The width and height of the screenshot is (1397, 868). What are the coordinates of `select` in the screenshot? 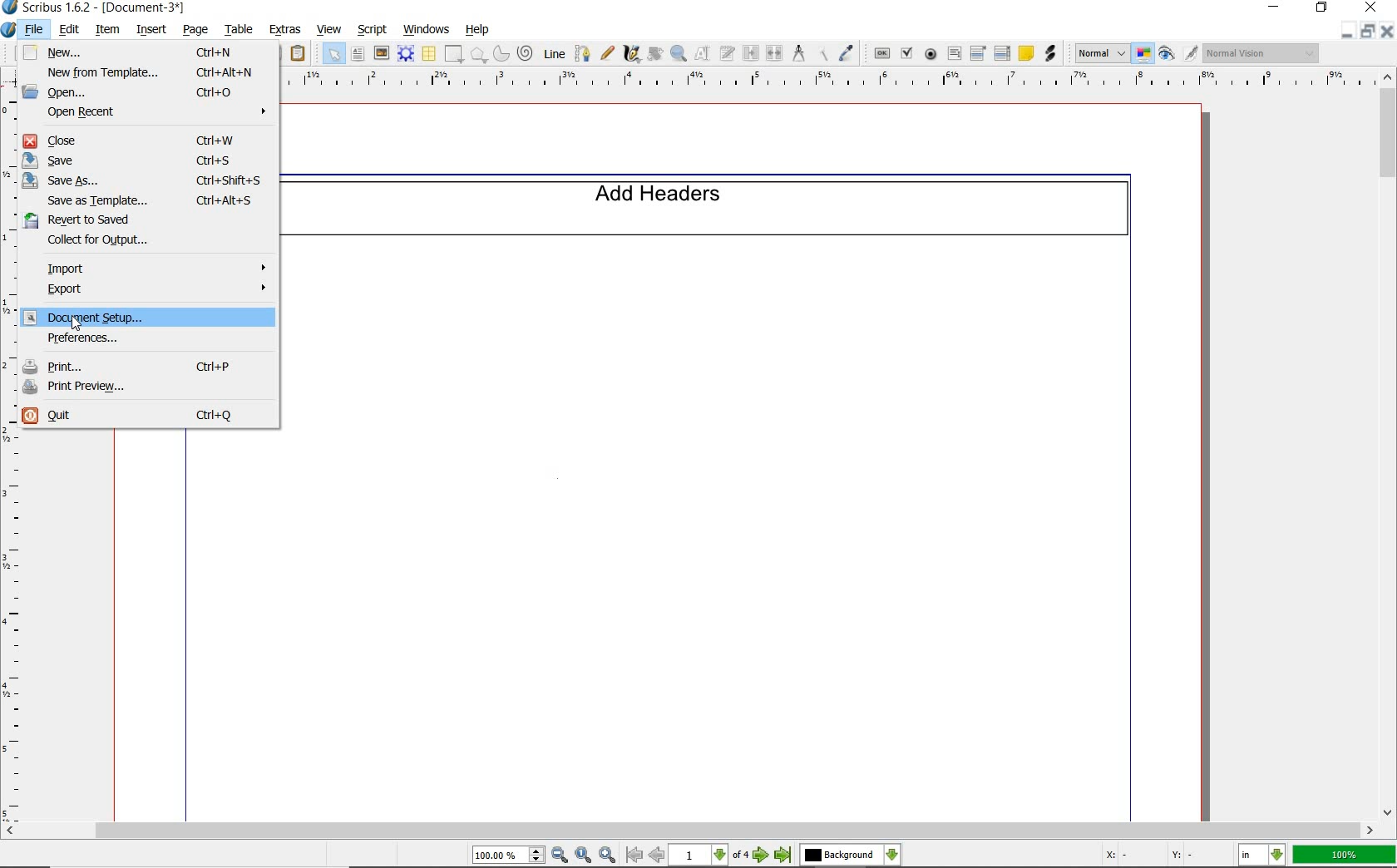 It's located at (335, 57).